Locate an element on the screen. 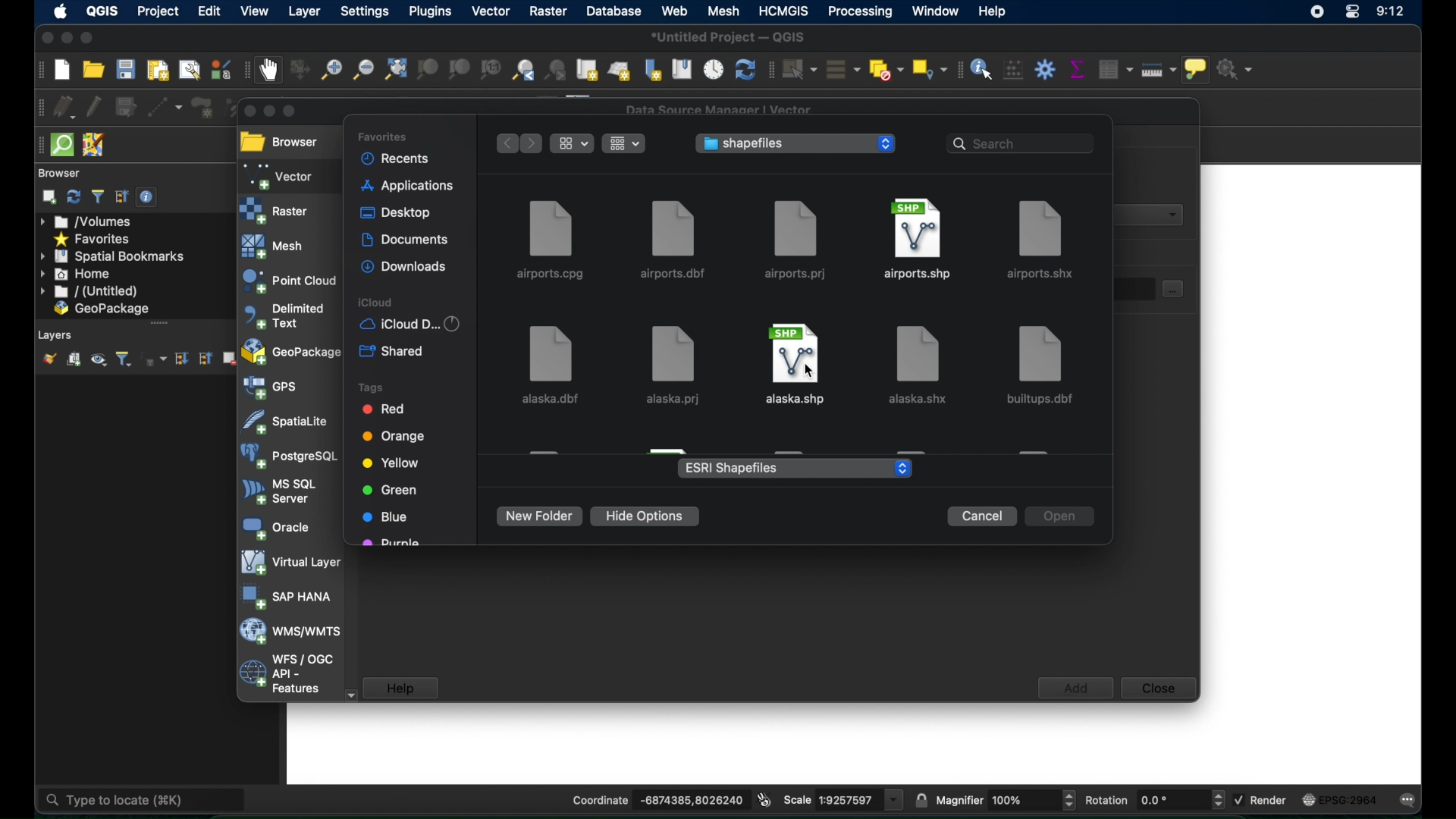  zoom last is located at coordinates (524, 71).